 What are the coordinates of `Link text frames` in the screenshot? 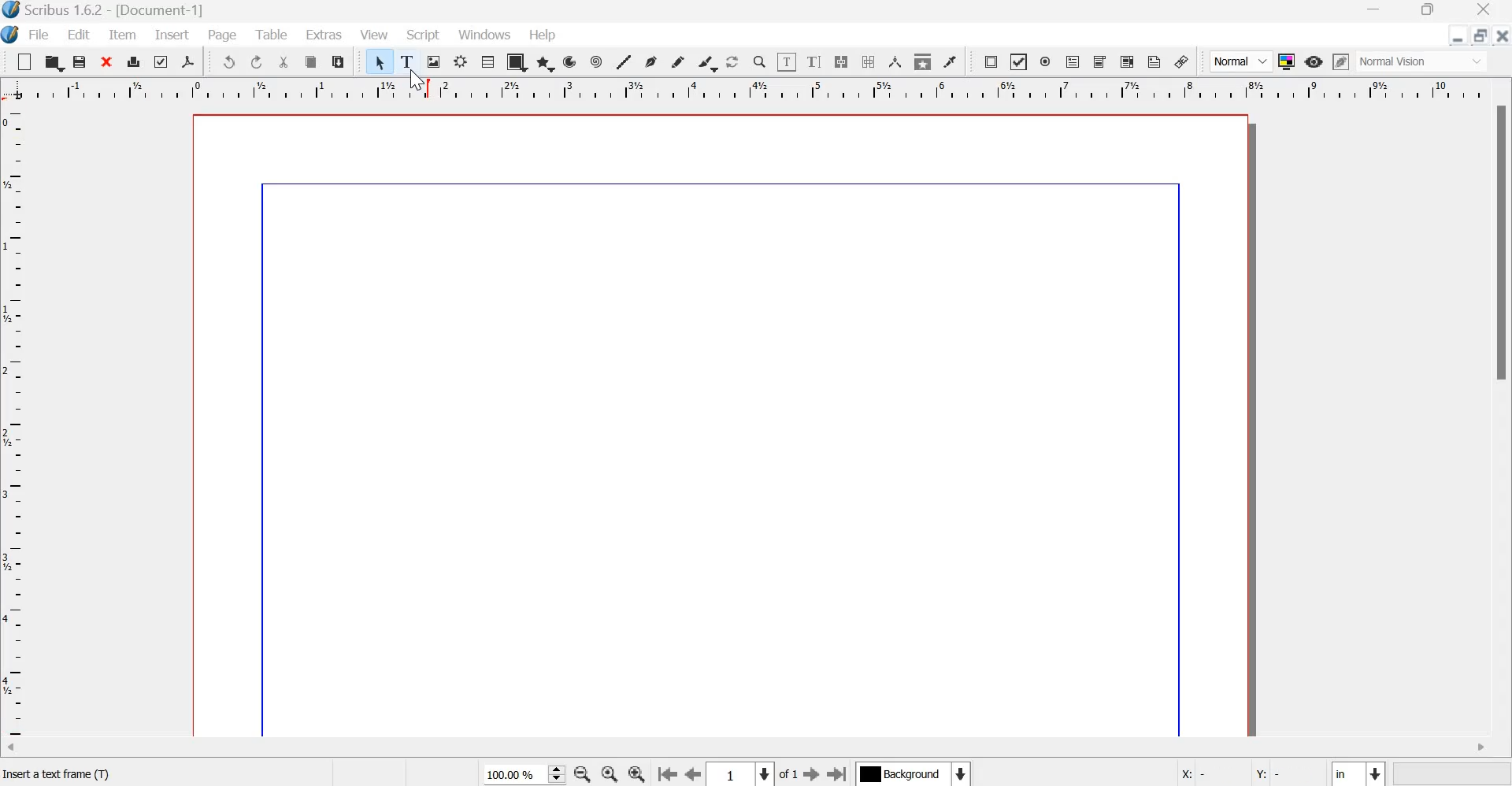 It's located at (841, 61).